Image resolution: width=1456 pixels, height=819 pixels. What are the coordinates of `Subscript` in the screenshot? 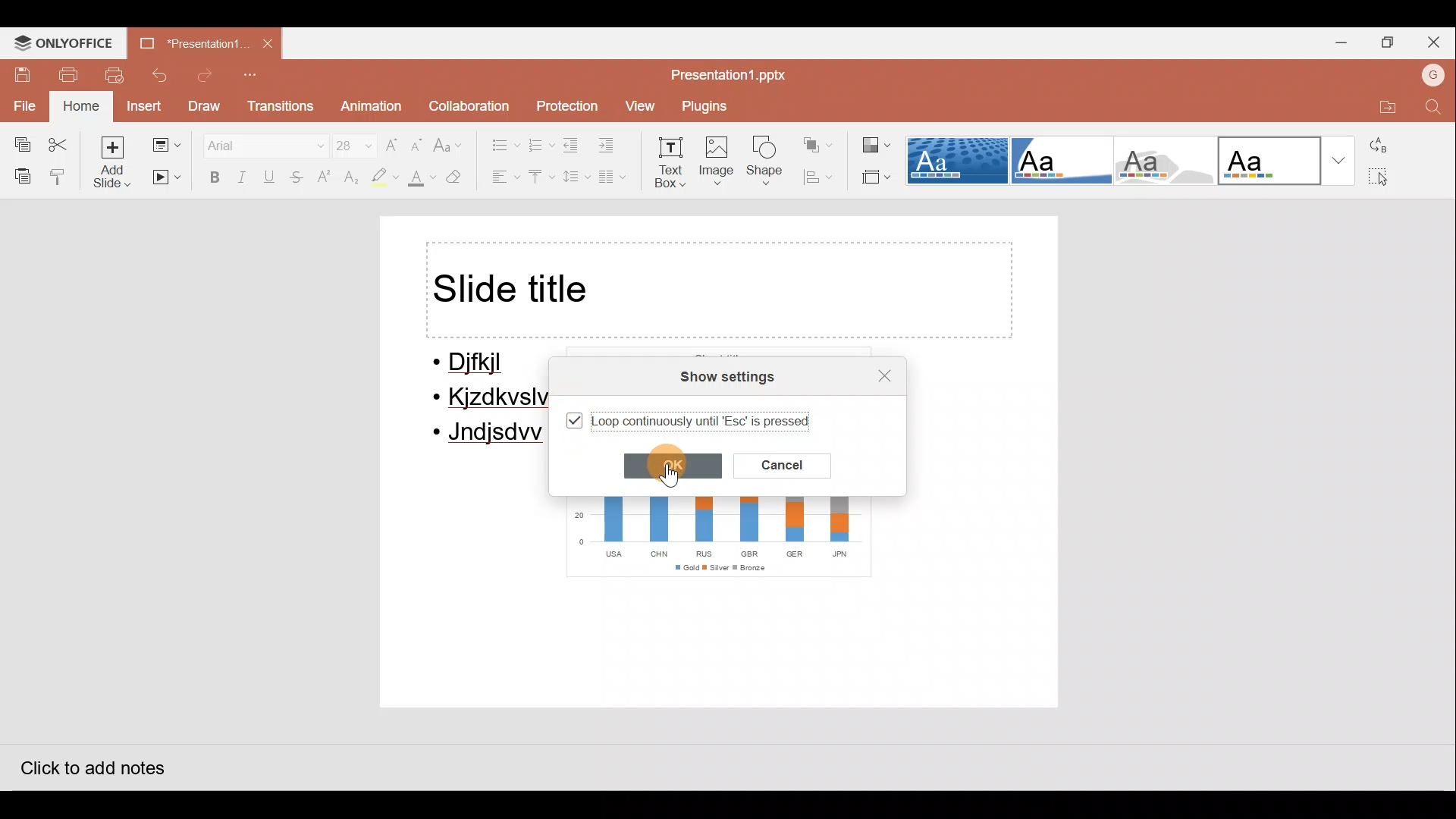 It's located at (349, 178).